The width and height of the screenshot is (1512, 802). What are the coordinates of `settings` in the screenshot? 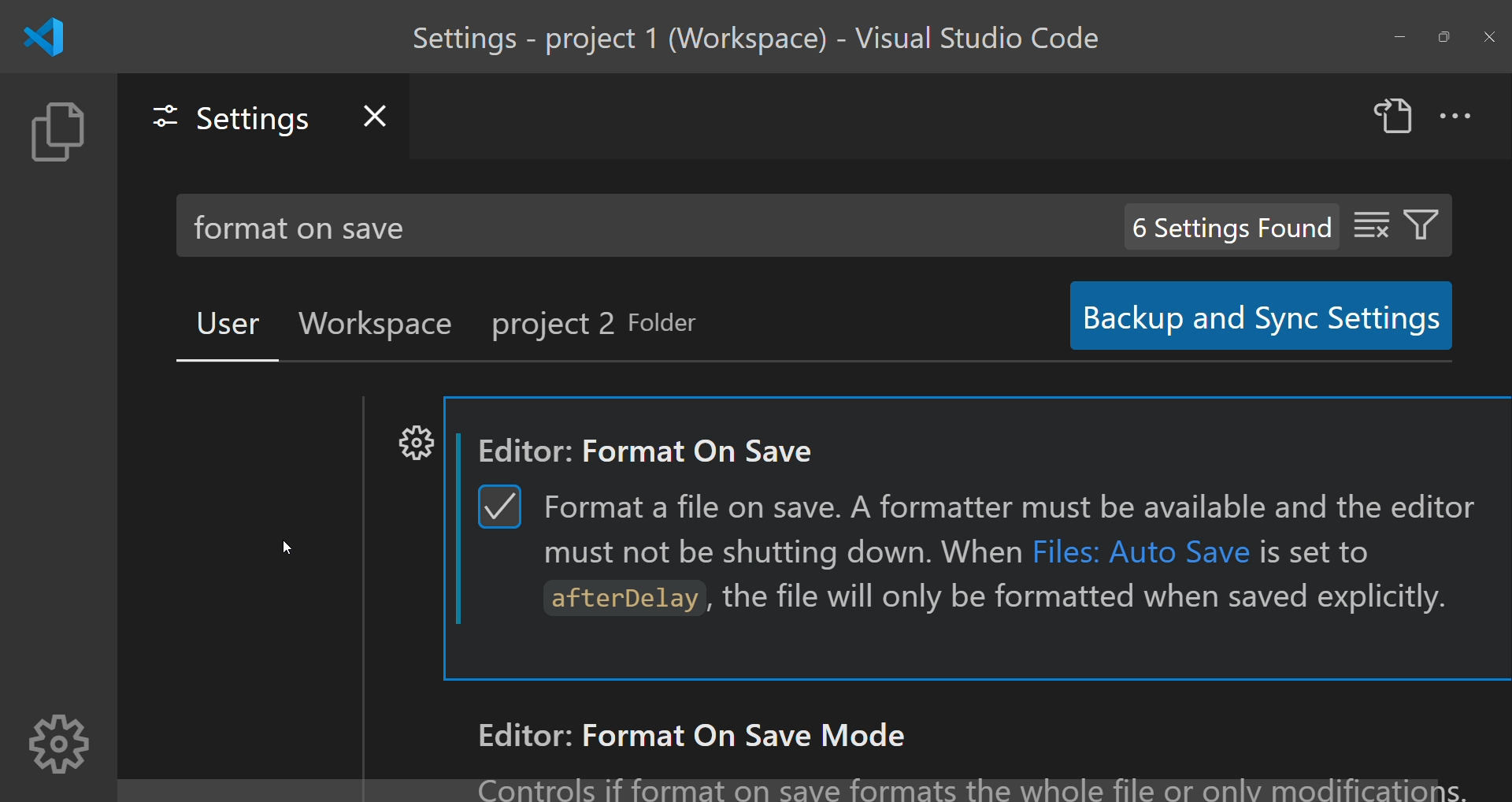 It's located at (57, 744).